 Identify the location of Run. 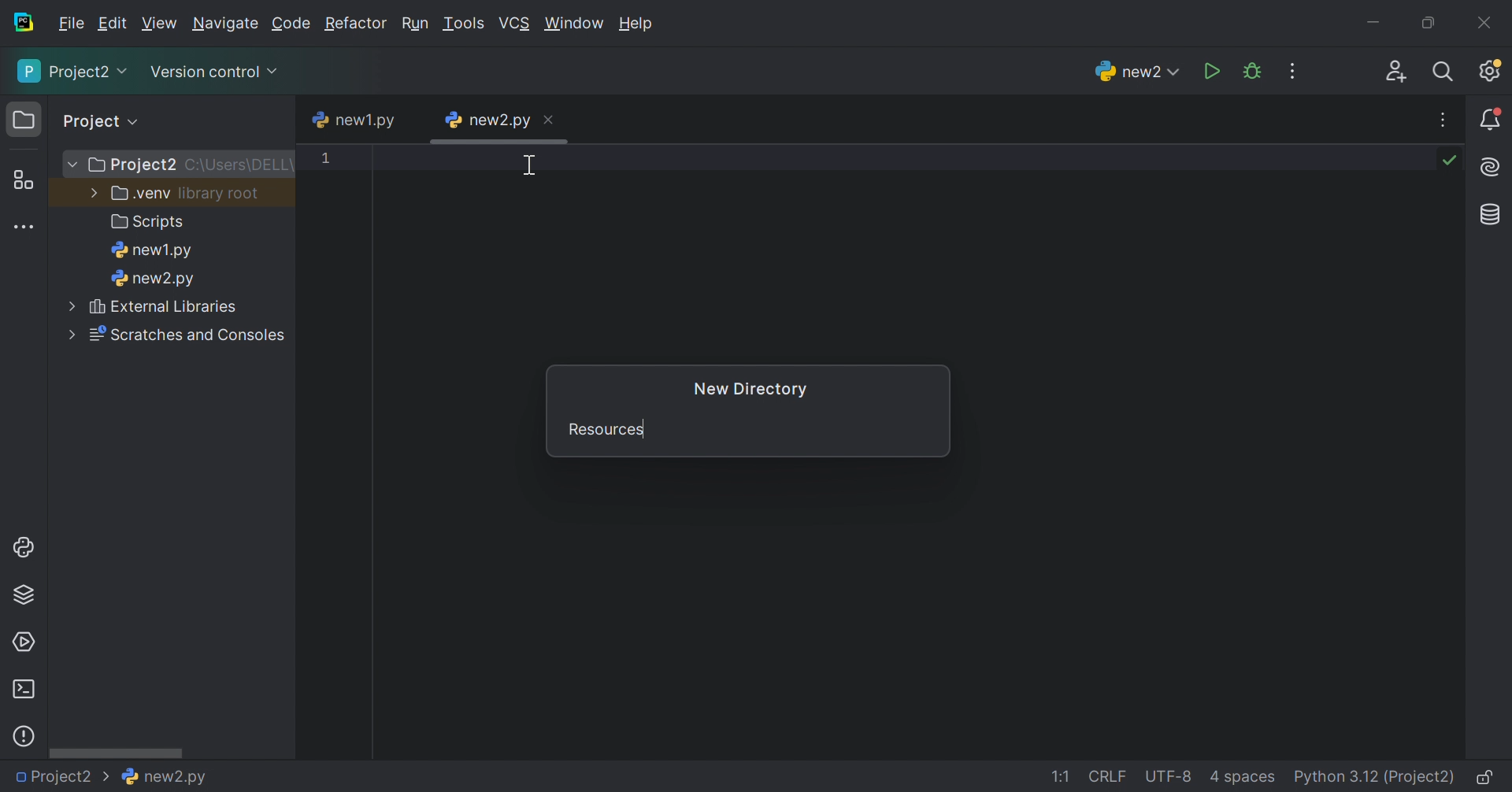
(418, 24).